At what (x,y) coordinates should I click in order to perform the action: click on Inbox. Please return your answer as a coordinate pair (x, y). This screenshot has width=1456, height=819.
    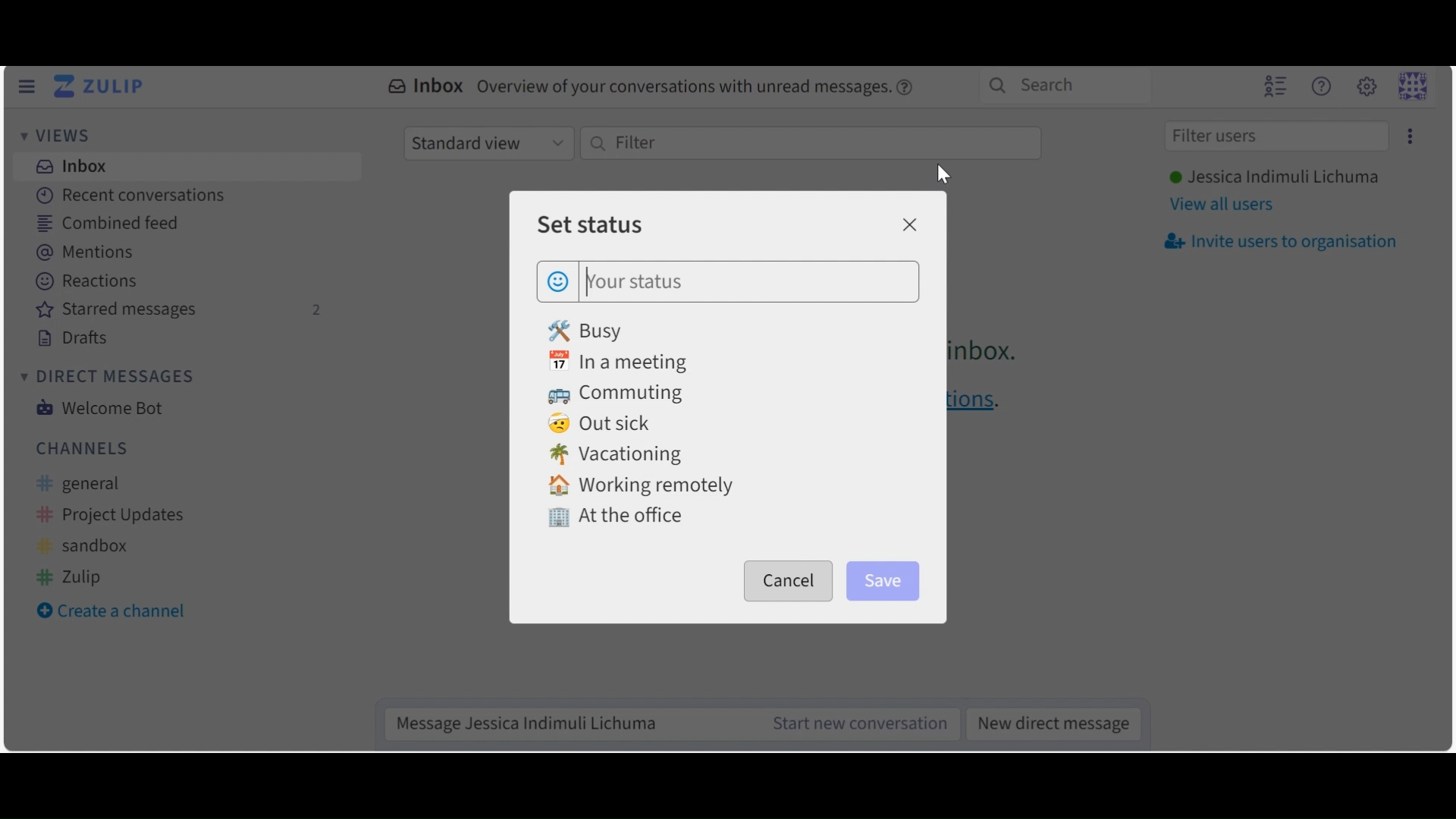
    Looking at the image, I should click on (653, 88).